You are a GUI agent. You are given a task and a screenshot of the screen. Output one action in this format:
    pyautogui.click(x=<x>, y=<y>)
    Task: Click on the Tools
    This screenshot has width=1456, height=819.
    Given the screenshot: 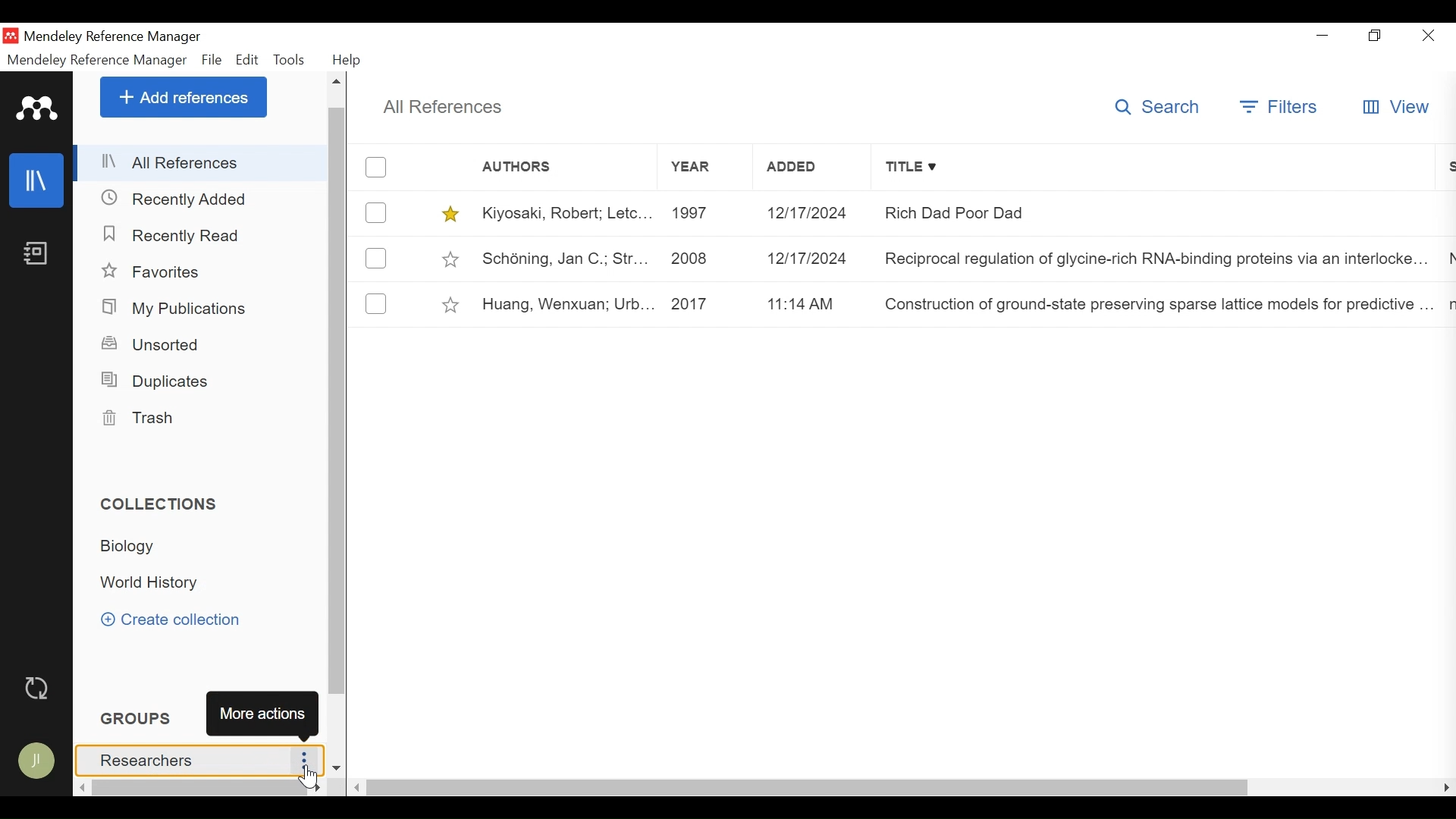 What is the action you would take?
    pyautogui.click(x=290, y=60)
    